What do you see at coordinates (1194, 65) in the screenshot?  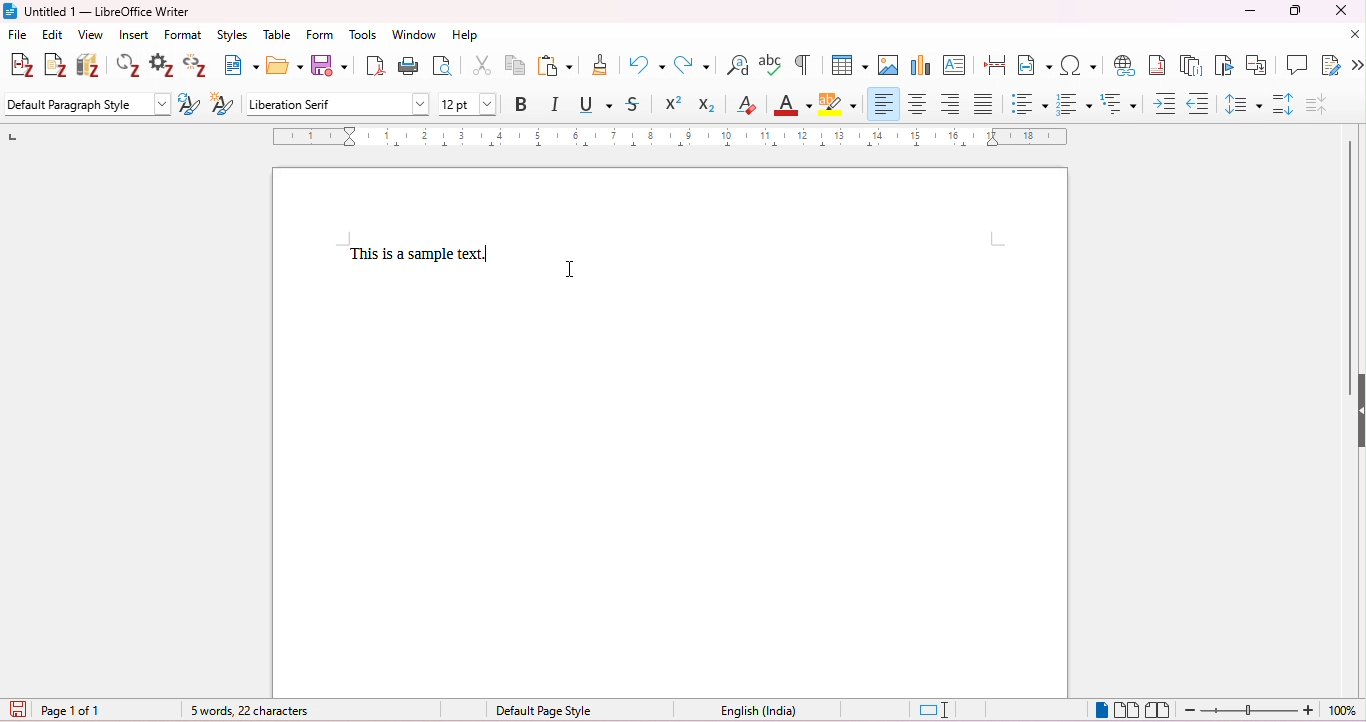 I see `insert end note` at bounding box center [1194, 65].